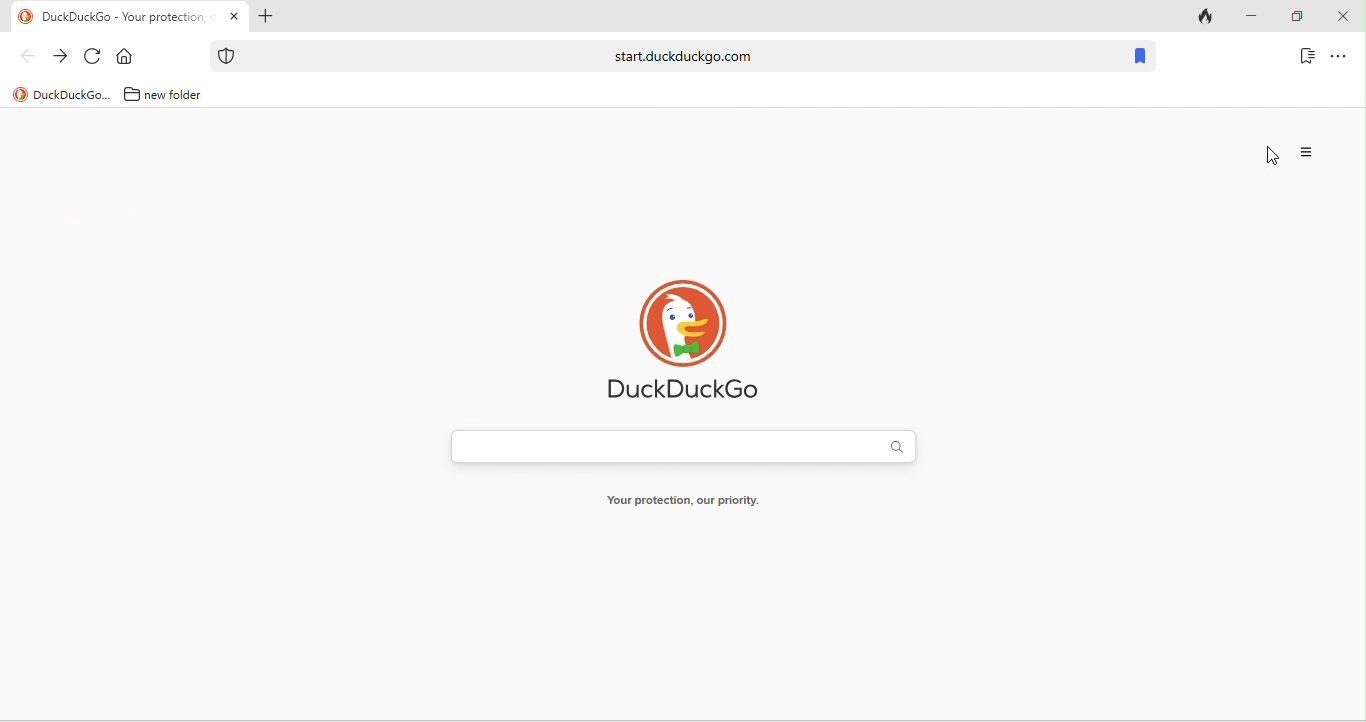 Image resolution: width=1366 pixels, height=722 pixels. I want to click on bookmark, so click(1139, 56).